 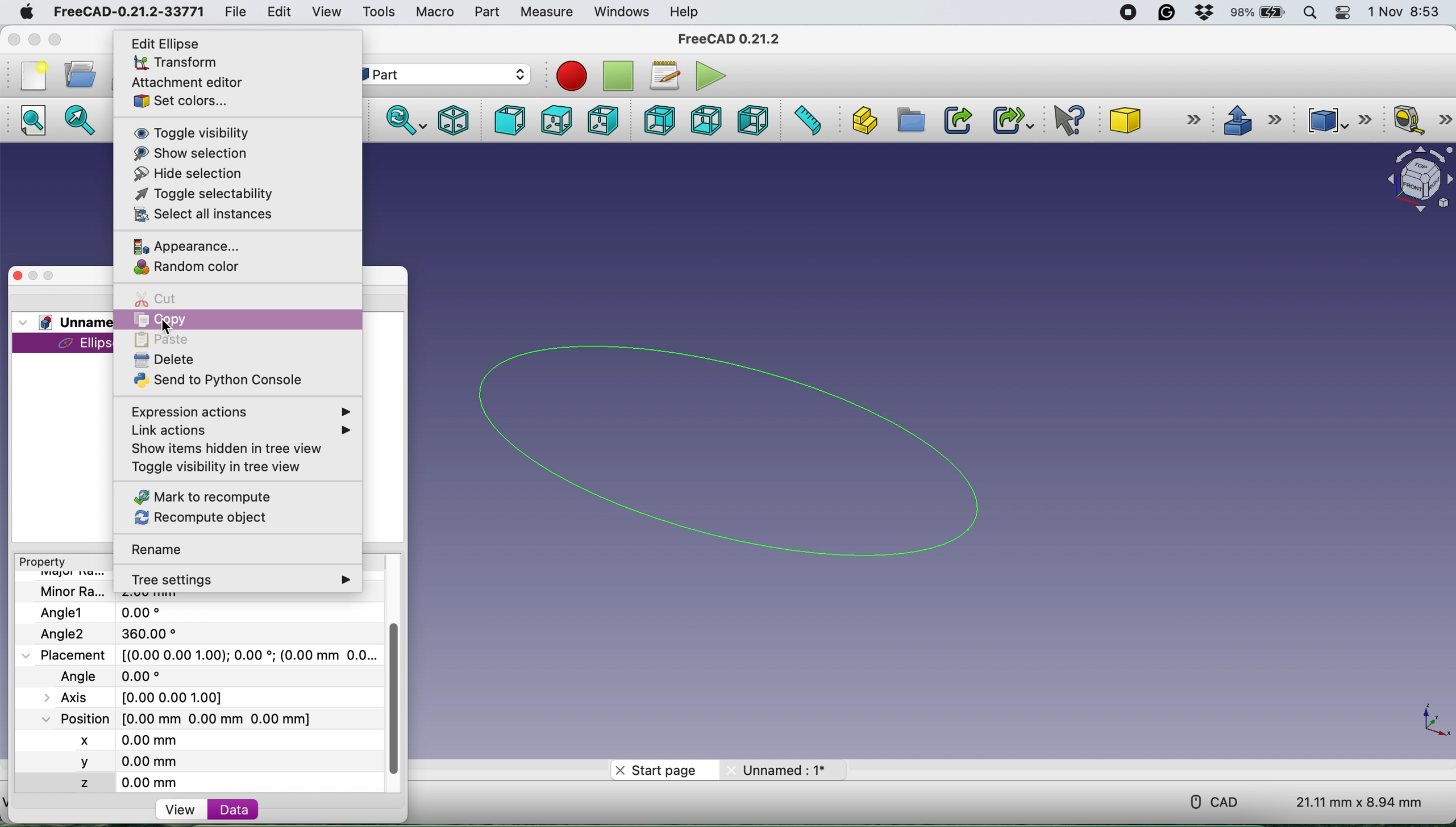 I want to click on macros, so click(x=664, y=74).